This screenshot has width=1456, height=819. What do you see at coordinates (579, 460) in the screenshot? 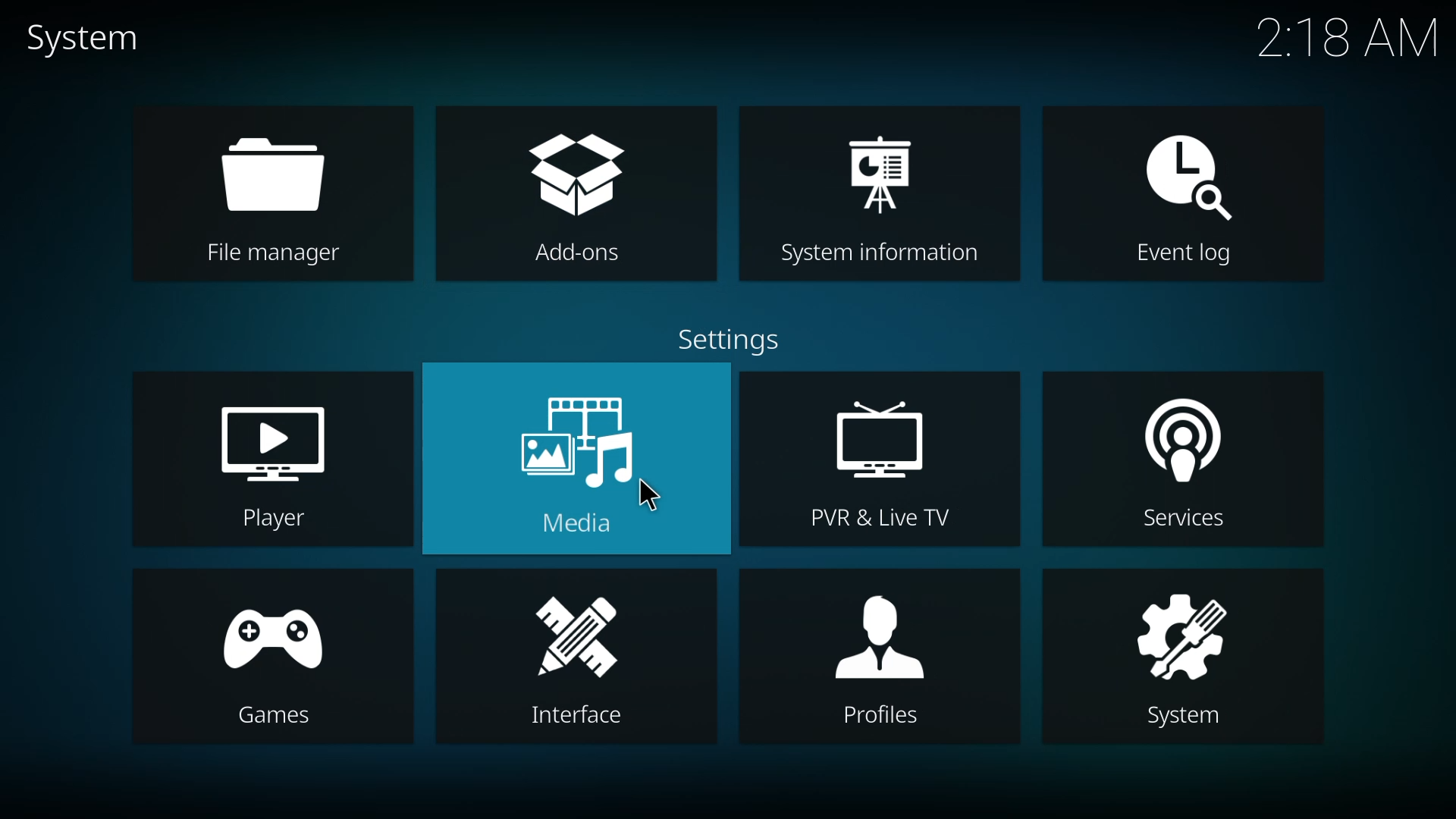
I see `media` at bounding box center [579, 460].